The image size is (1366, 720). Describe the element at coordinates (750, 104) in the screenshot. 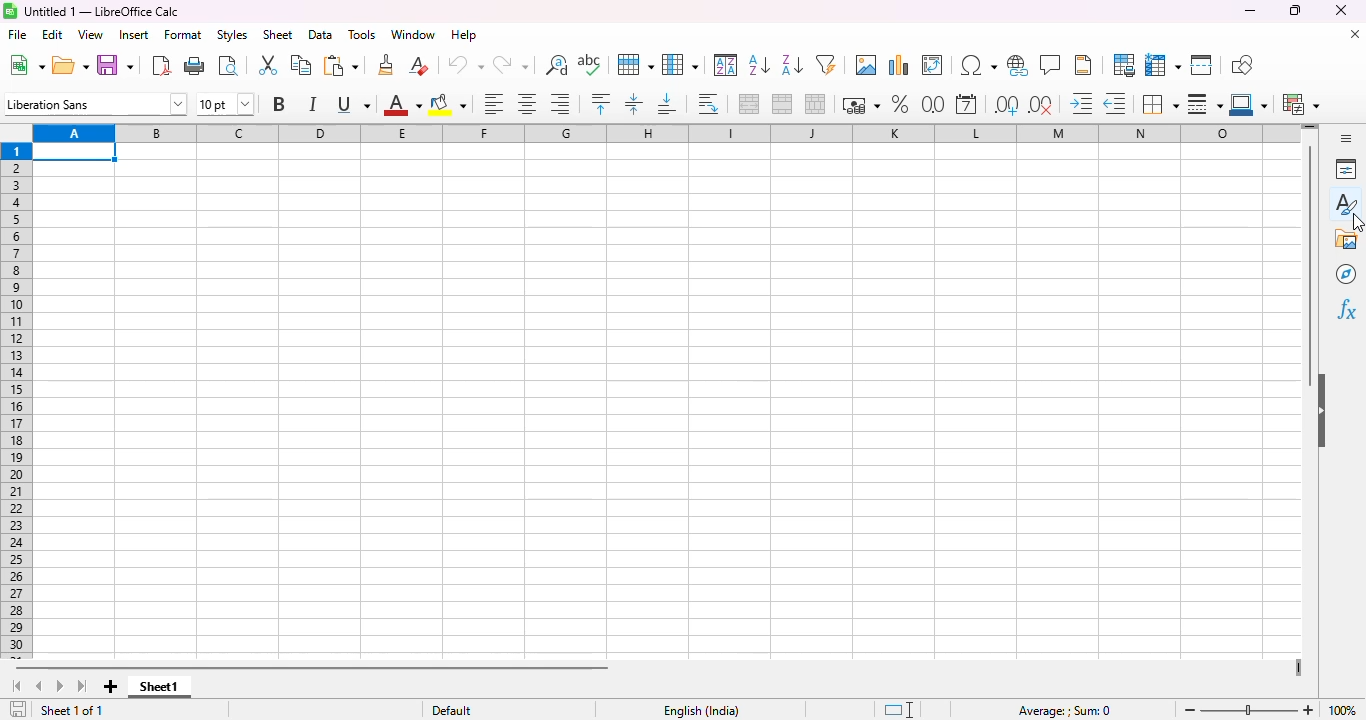

I see `merge and center or unmerge cells depending on the current toggle state` at that location.